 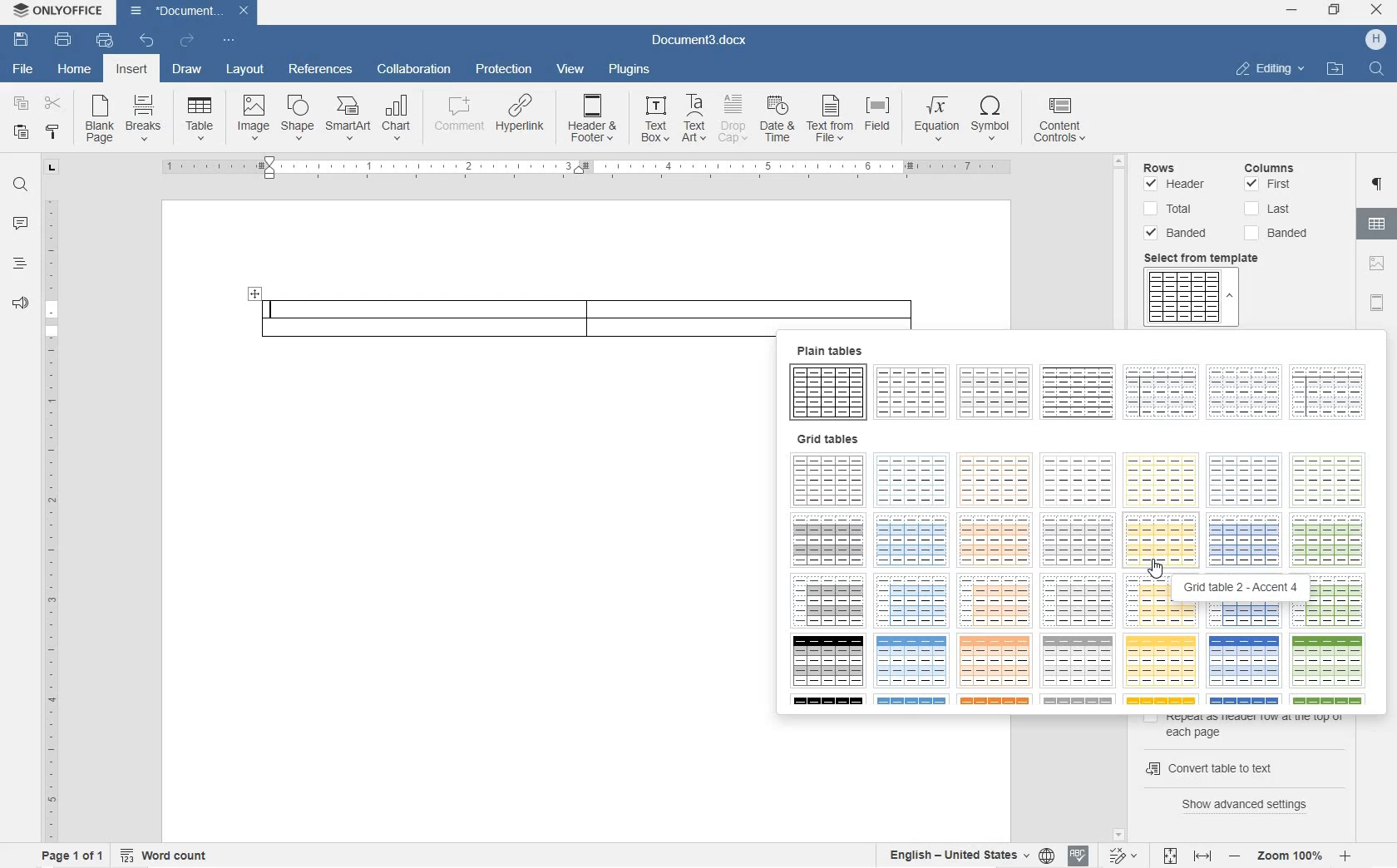 I want to click on find, so click(x=1379, y=70).